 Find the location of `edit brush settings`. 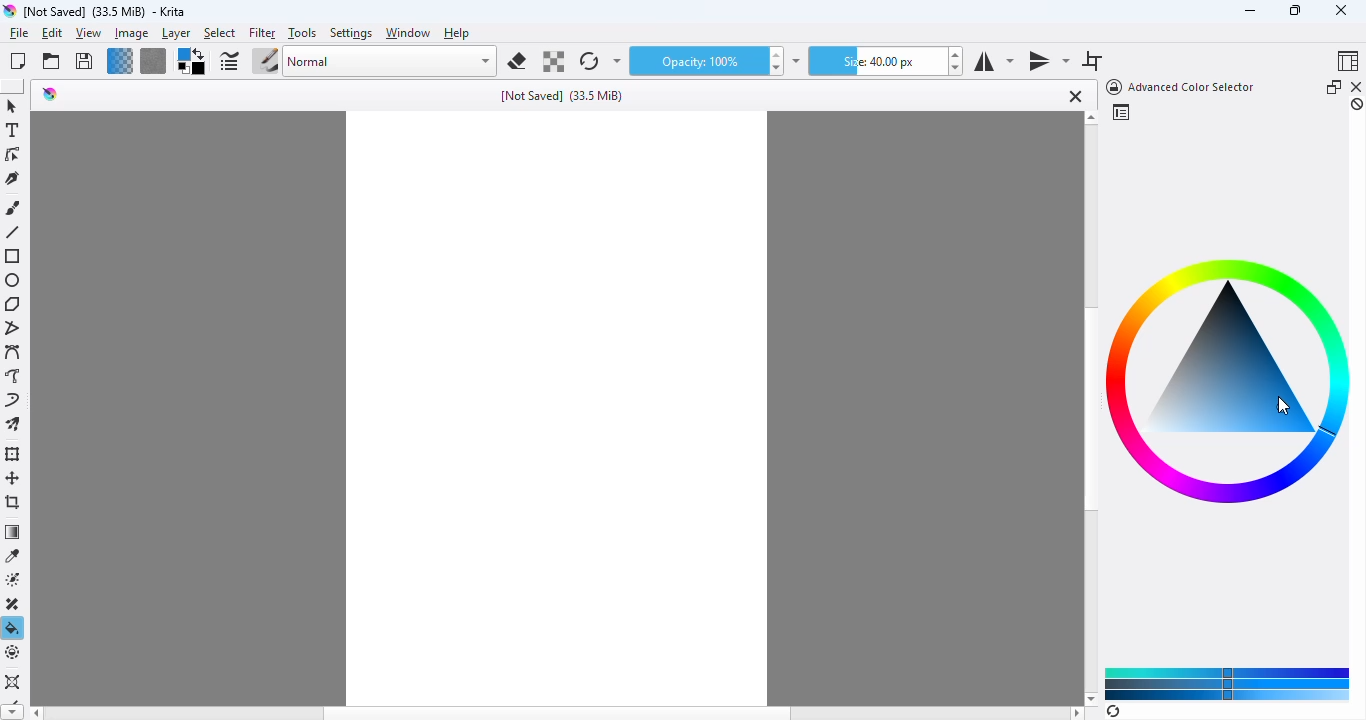

edit brush settings is located at coordinates (228, 61).